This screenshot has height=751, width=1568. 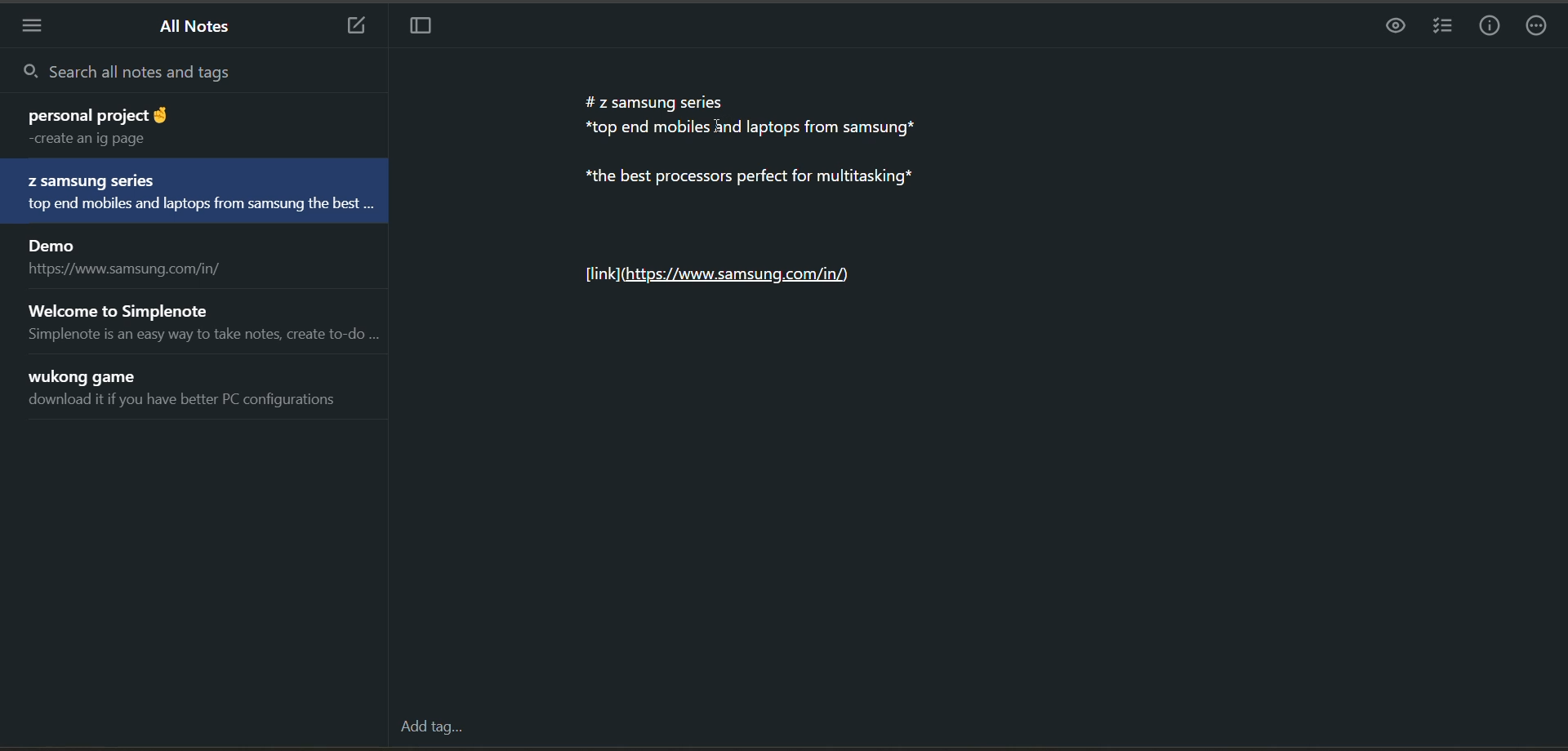 I want to click on new note, so click(x=355, y=26).